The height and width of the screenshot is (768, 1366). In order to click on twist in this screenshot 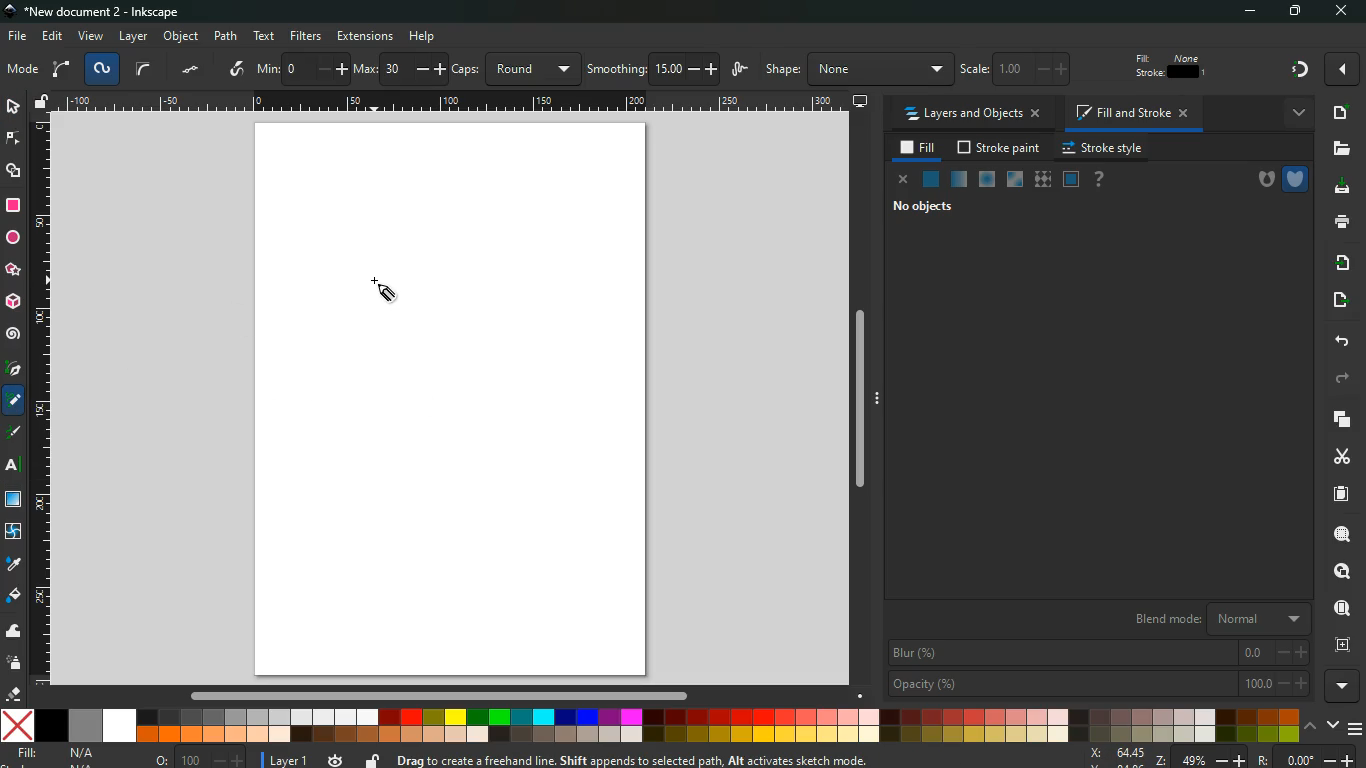, I will do `click(14, 533)`.